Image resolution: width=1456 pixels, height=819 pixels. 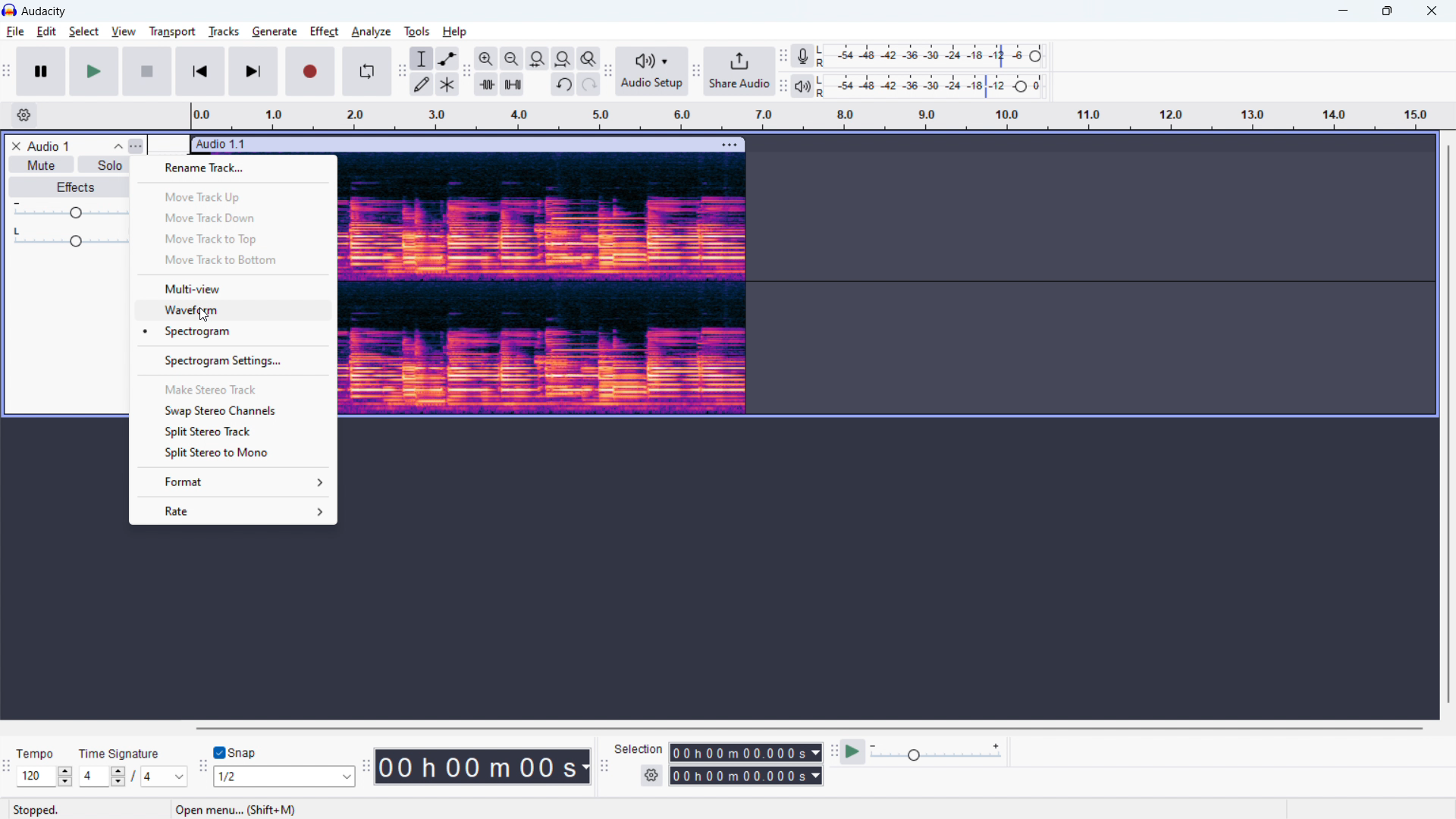 I want to click on share audio, so click(x=739, y=71).